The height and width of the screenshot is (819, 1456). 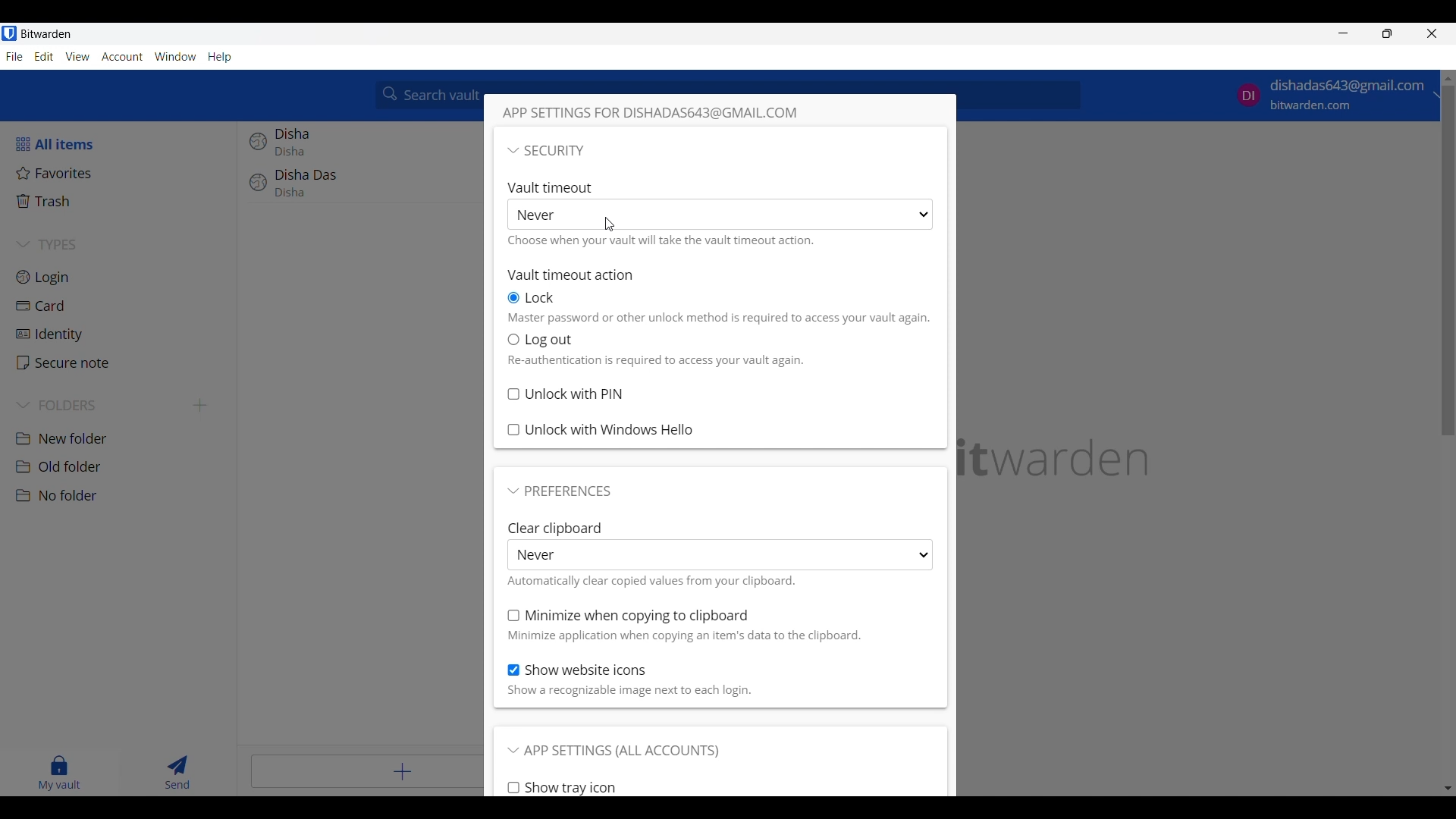 I want to click on Vault timeout action, so click(x=542, y=340).